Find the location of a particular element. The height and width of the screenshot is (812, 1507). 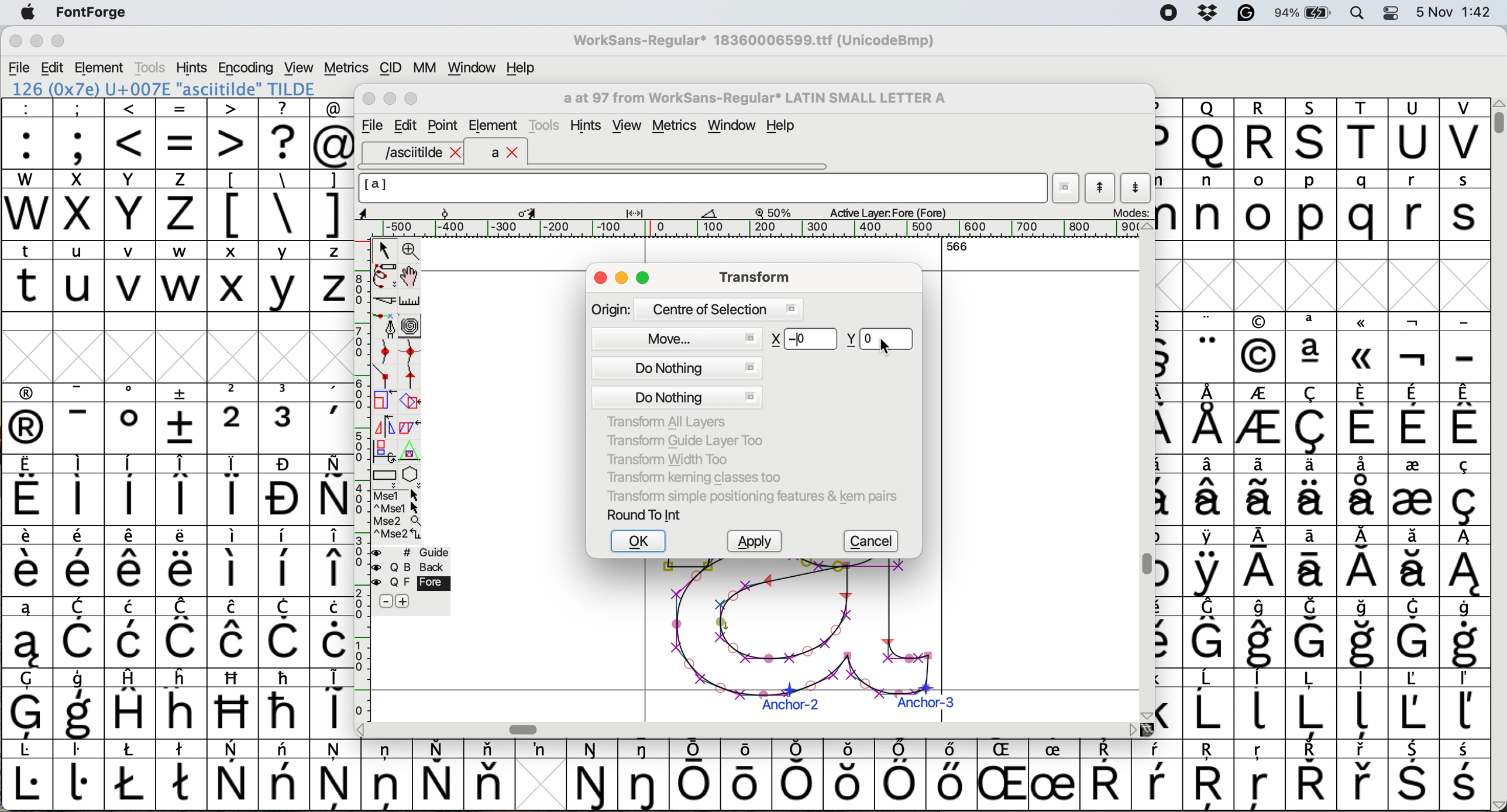

element is located at coordinates (101, 67).